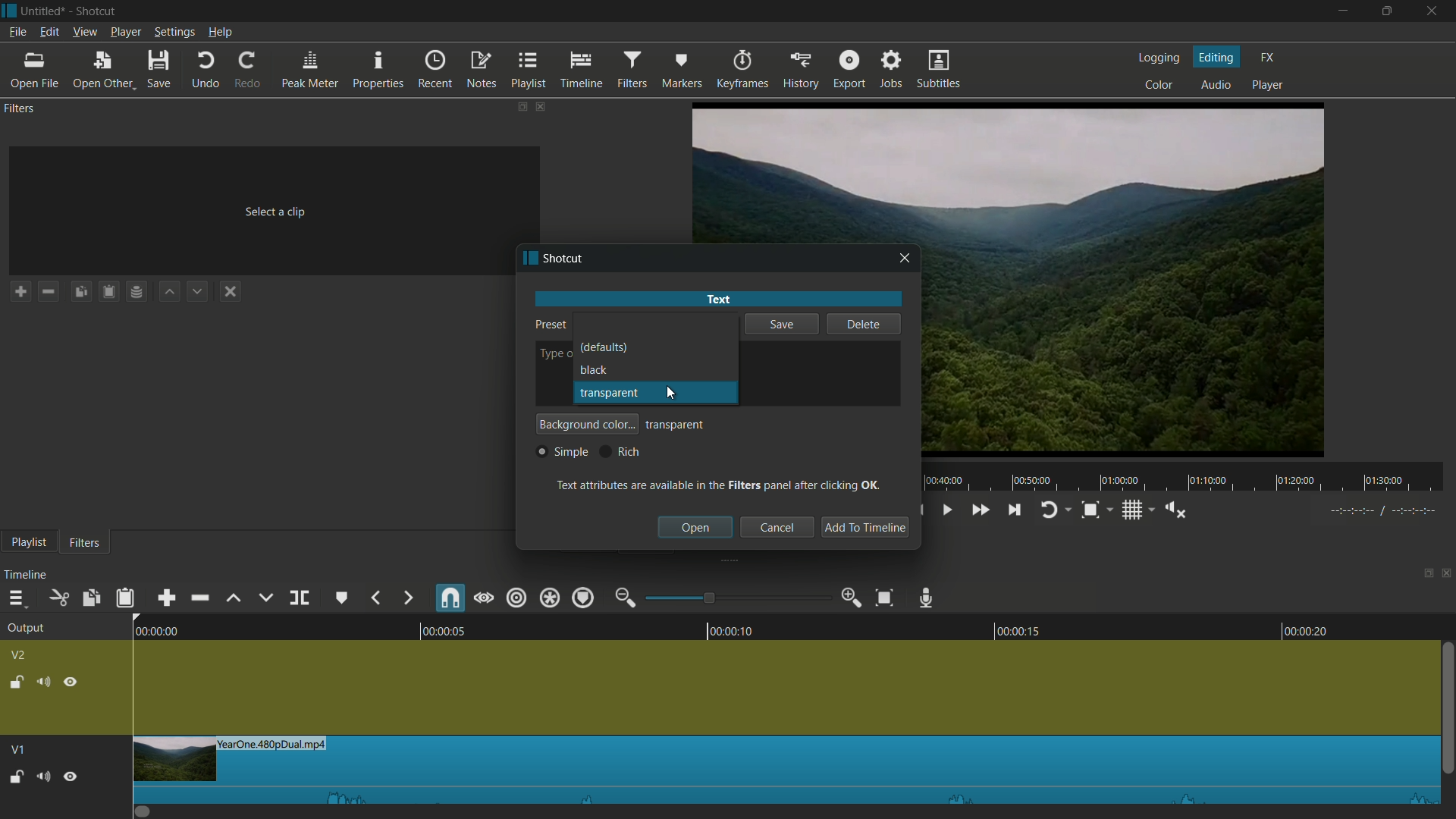  What do you see at coordinates (674, 395) in the screenshot?
I see `cursor` at bounding box center [674, 395].